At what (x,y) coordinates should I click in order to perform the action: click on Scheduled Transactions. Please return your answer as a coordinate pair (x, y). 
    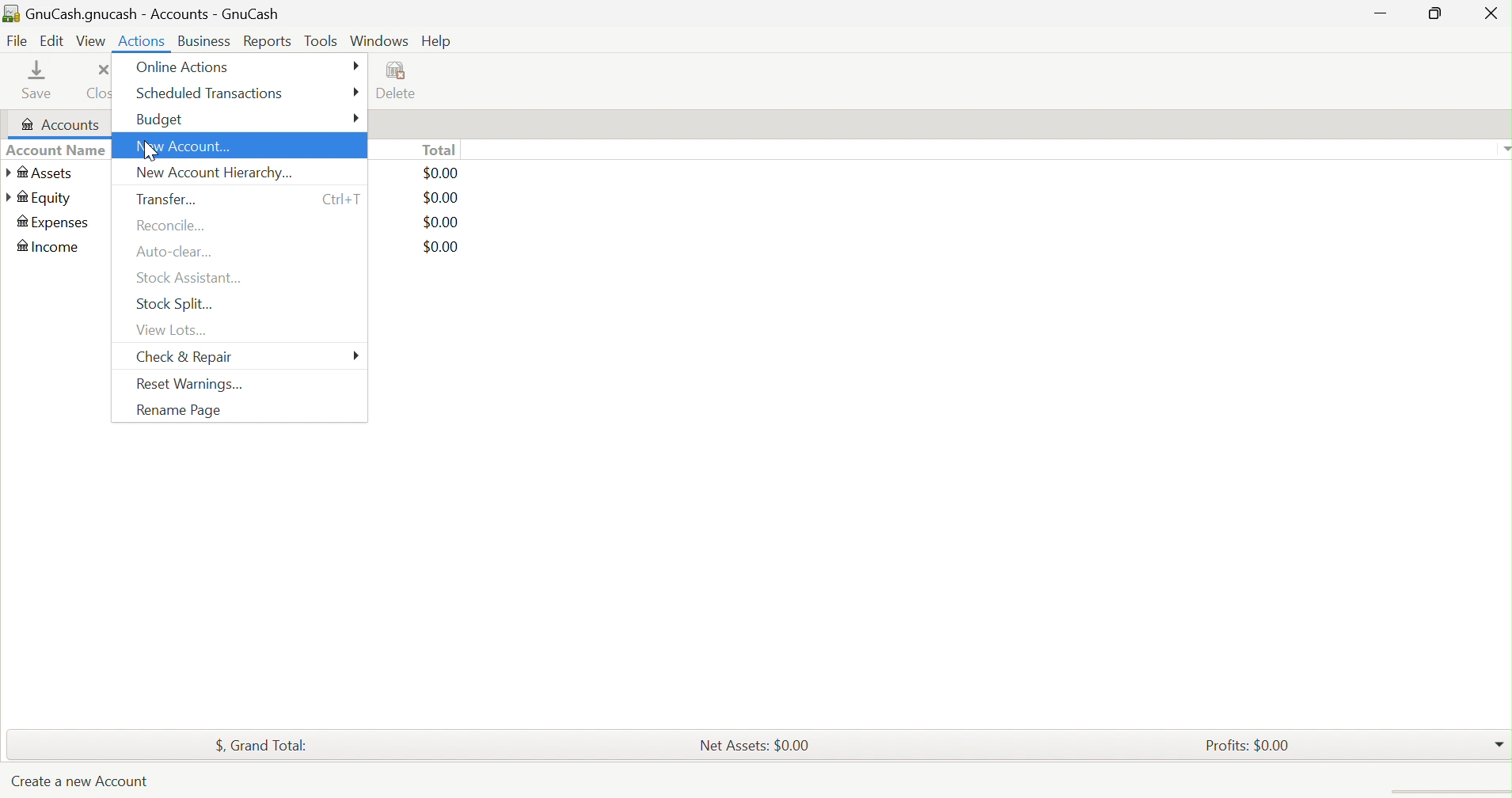
    Looking at the image, I should click on (213, 93).